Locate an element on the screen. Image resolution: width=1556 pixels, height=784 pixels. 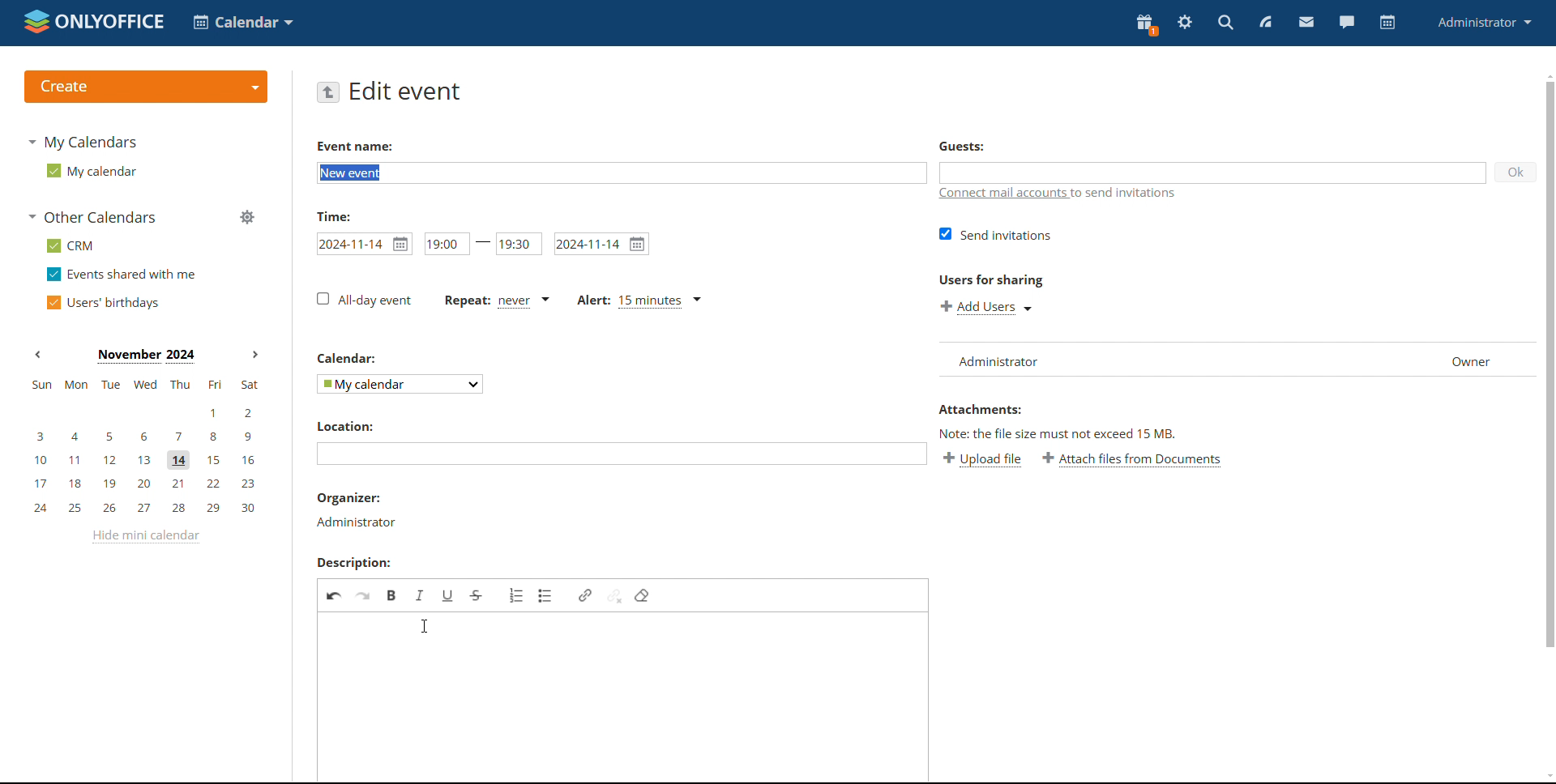
list of users is located at coordinates (1235, 359).